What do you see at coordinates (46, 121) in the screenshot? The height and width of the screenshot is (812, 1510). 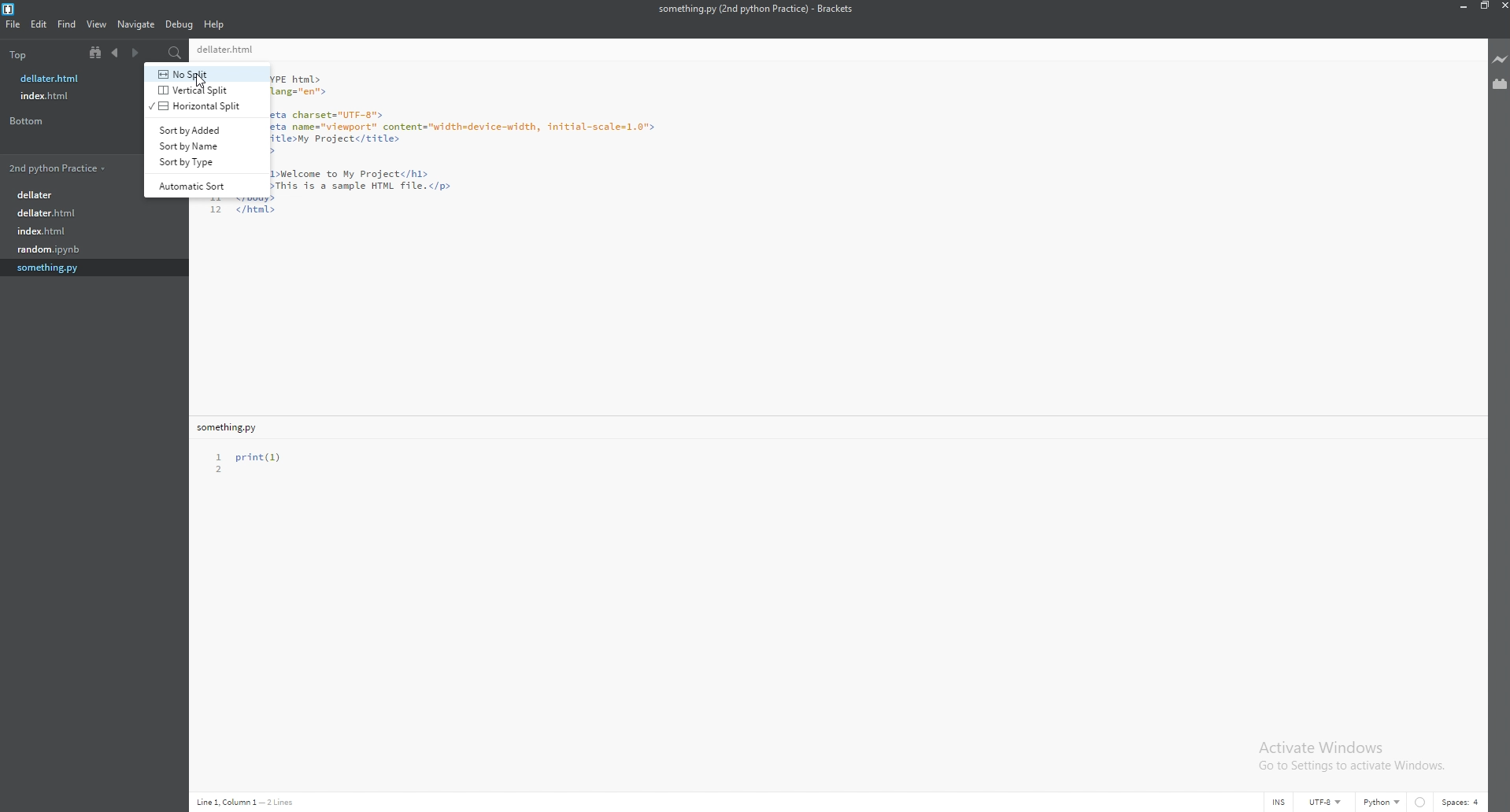 I see `bottom` at bounding box center [46, 121].